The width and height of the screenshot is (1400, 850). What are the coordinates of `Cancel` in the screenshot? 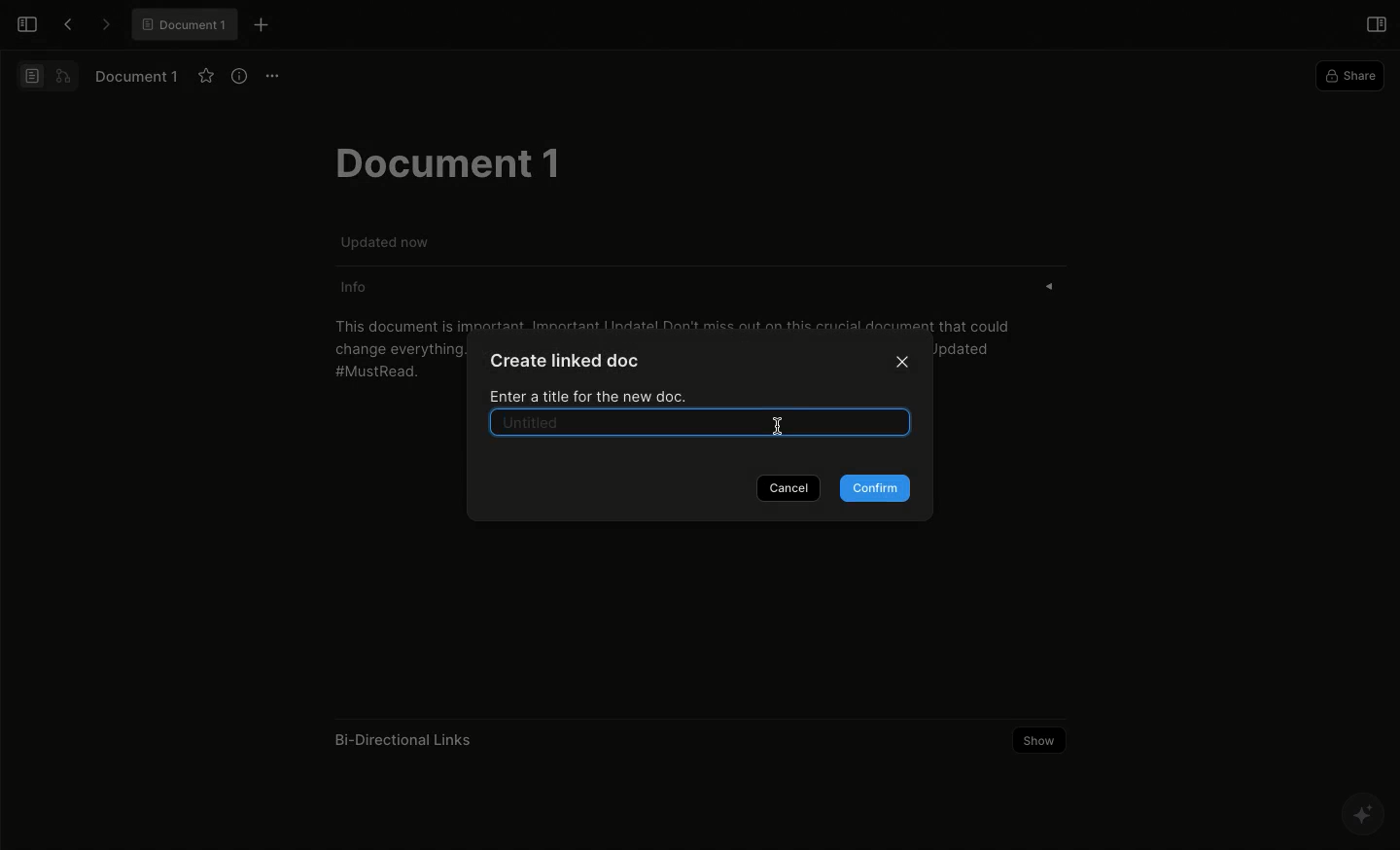 It's located at (787, 487).